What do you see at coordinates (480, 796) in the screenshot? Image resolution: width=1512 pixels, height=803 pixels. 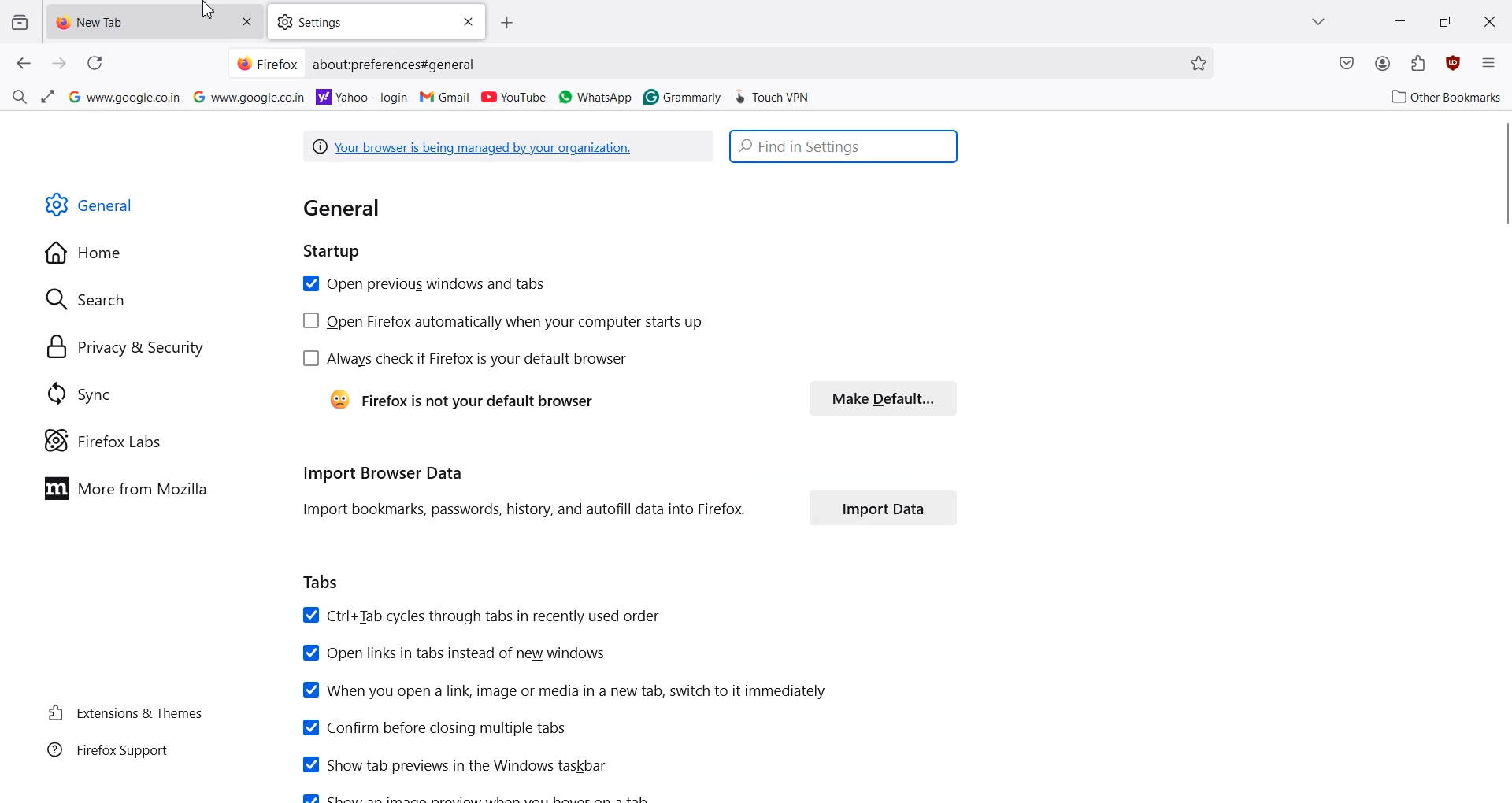 I see `Show an image preview when you hover on a tab` at bounding box center [480, 796].